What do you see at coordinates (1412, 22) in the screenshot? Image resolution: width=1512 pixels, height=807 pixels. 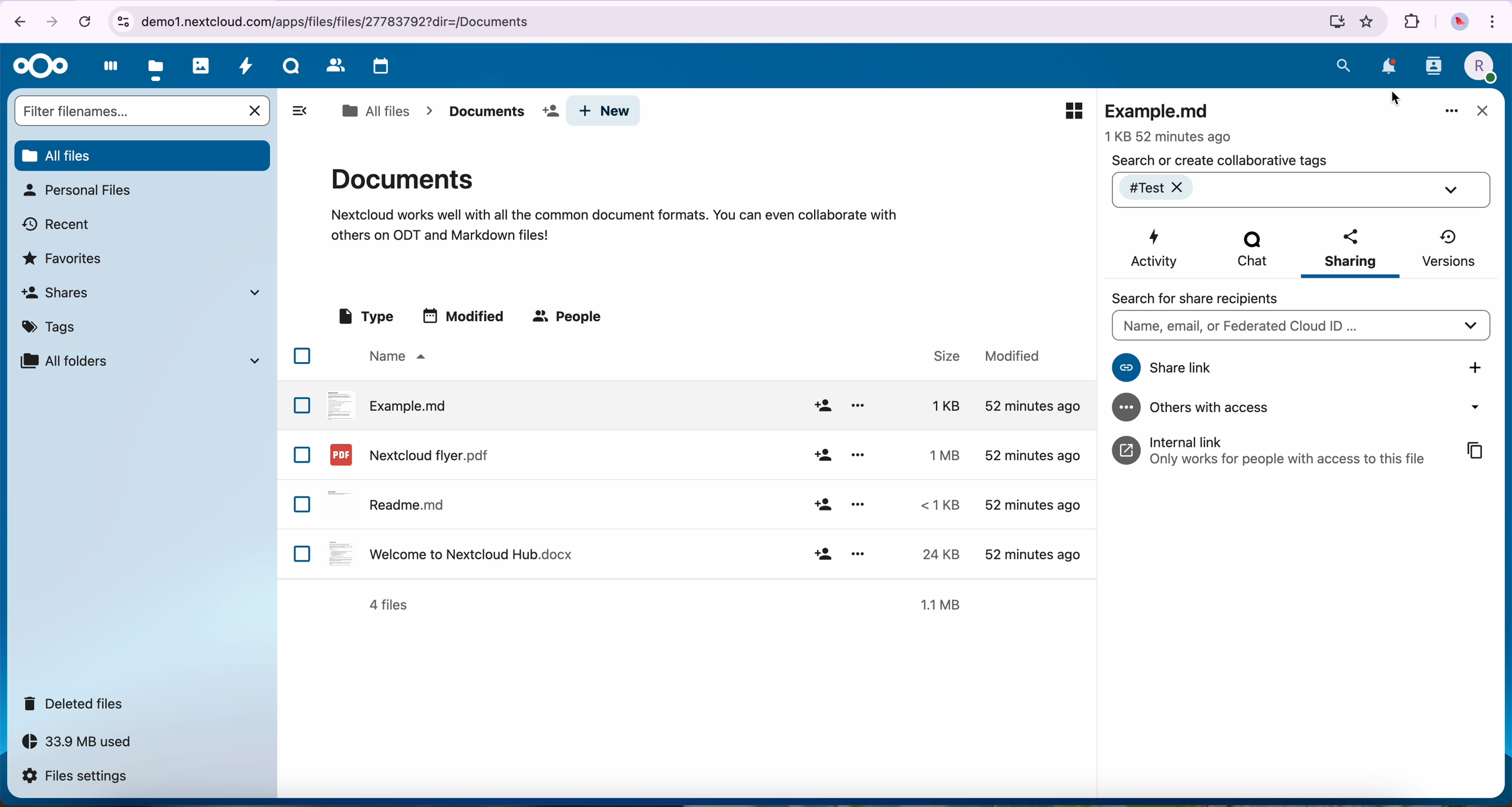 I see `extensions` at bounding box center [1412, 22].